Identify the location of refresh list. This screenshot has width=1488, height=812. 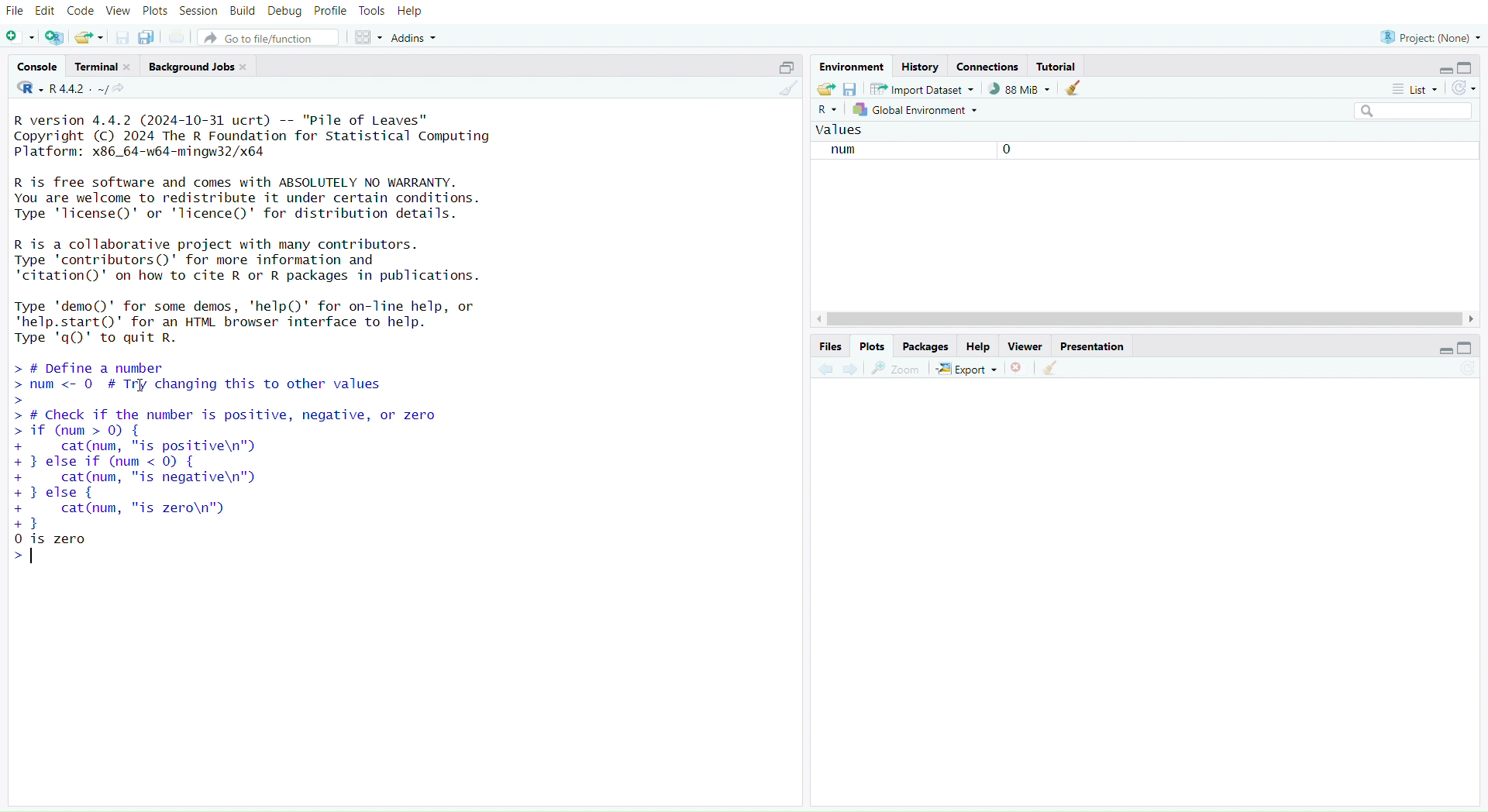
(1463, 88).